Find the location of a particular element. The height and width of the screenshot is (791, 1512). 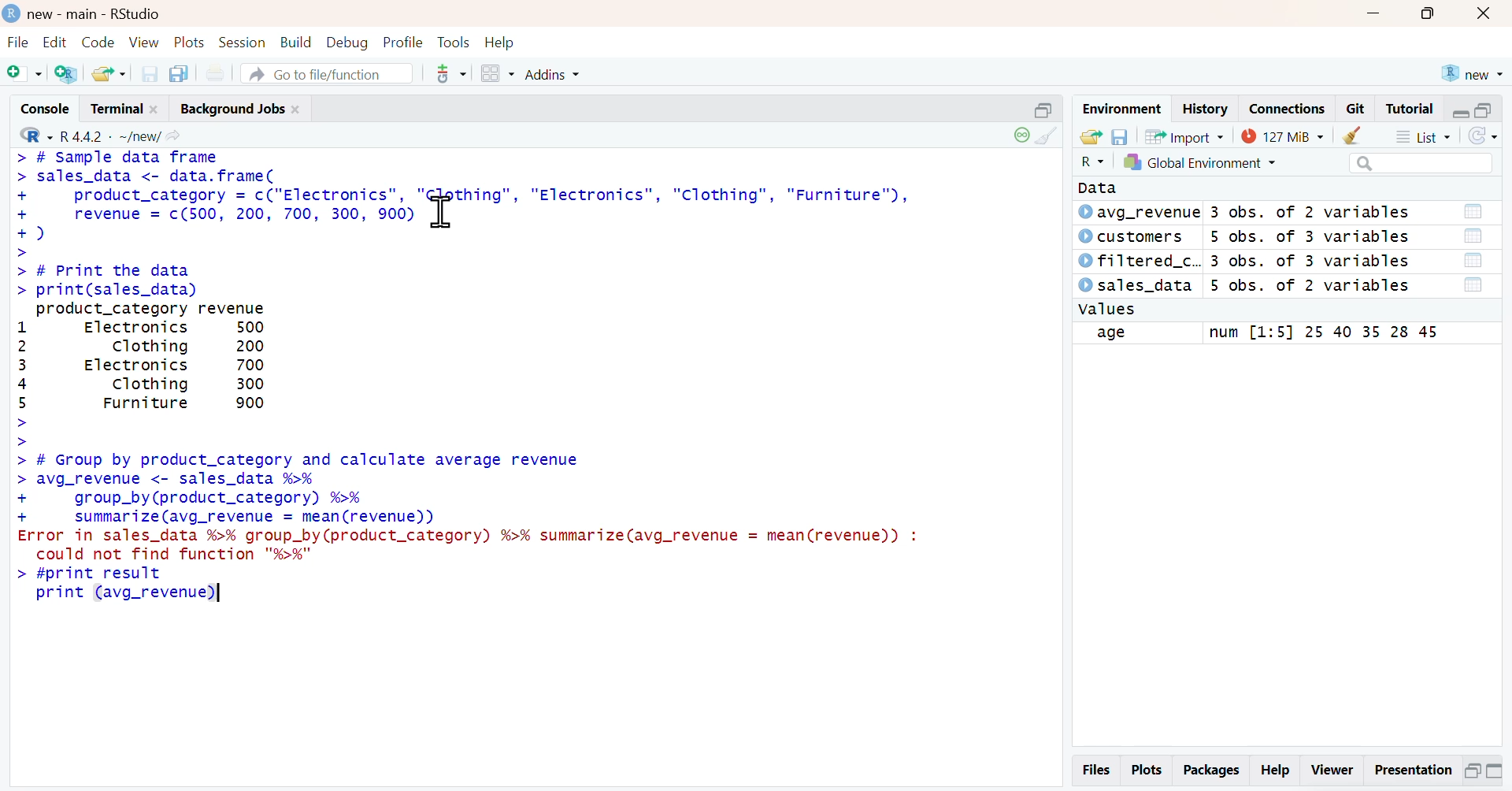

Print the current file is located at coordinates (213, 73).